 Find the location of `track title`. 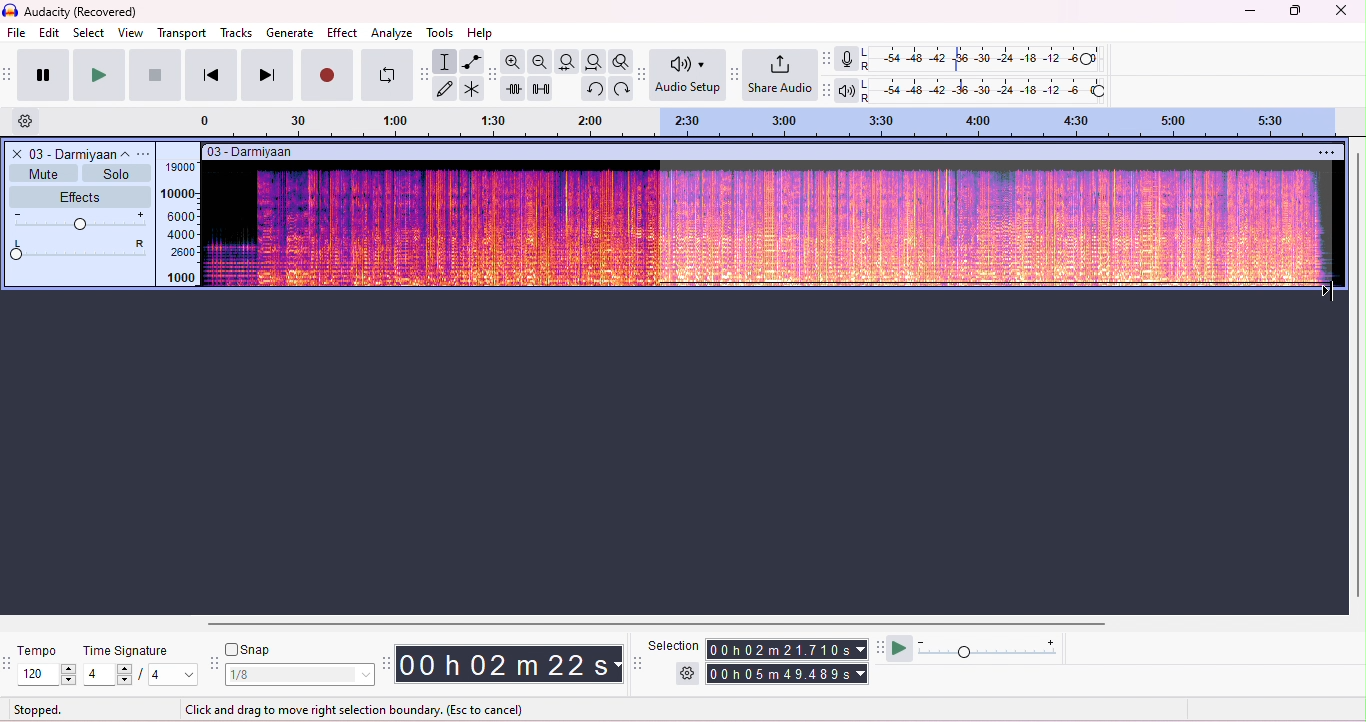

track title is located at coordinates (252, 151).